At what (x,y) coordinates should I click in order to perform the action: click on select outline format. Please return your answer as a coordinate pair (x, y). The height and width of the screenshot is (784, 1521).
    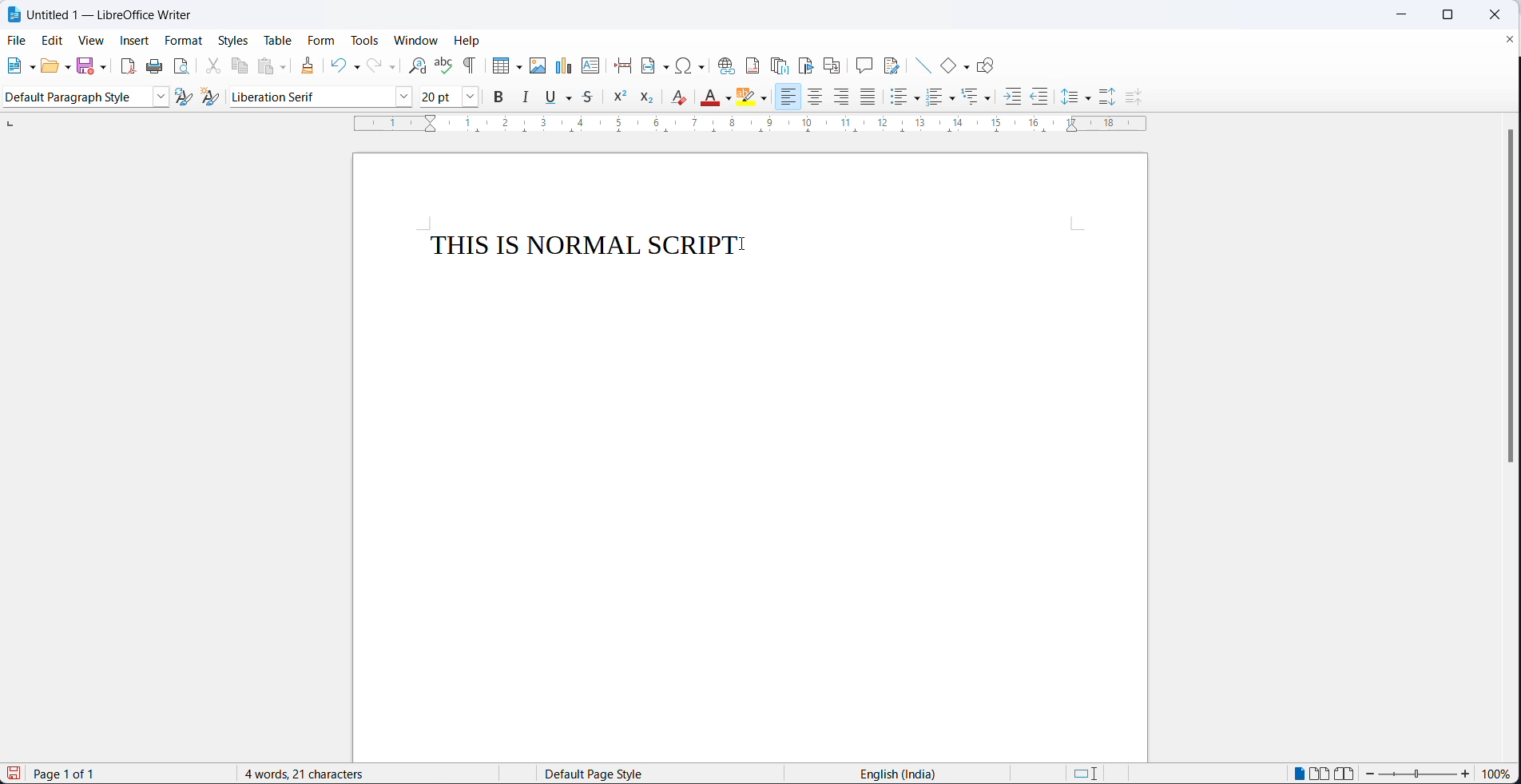
    Looking at the image, I should click on (978, 97).